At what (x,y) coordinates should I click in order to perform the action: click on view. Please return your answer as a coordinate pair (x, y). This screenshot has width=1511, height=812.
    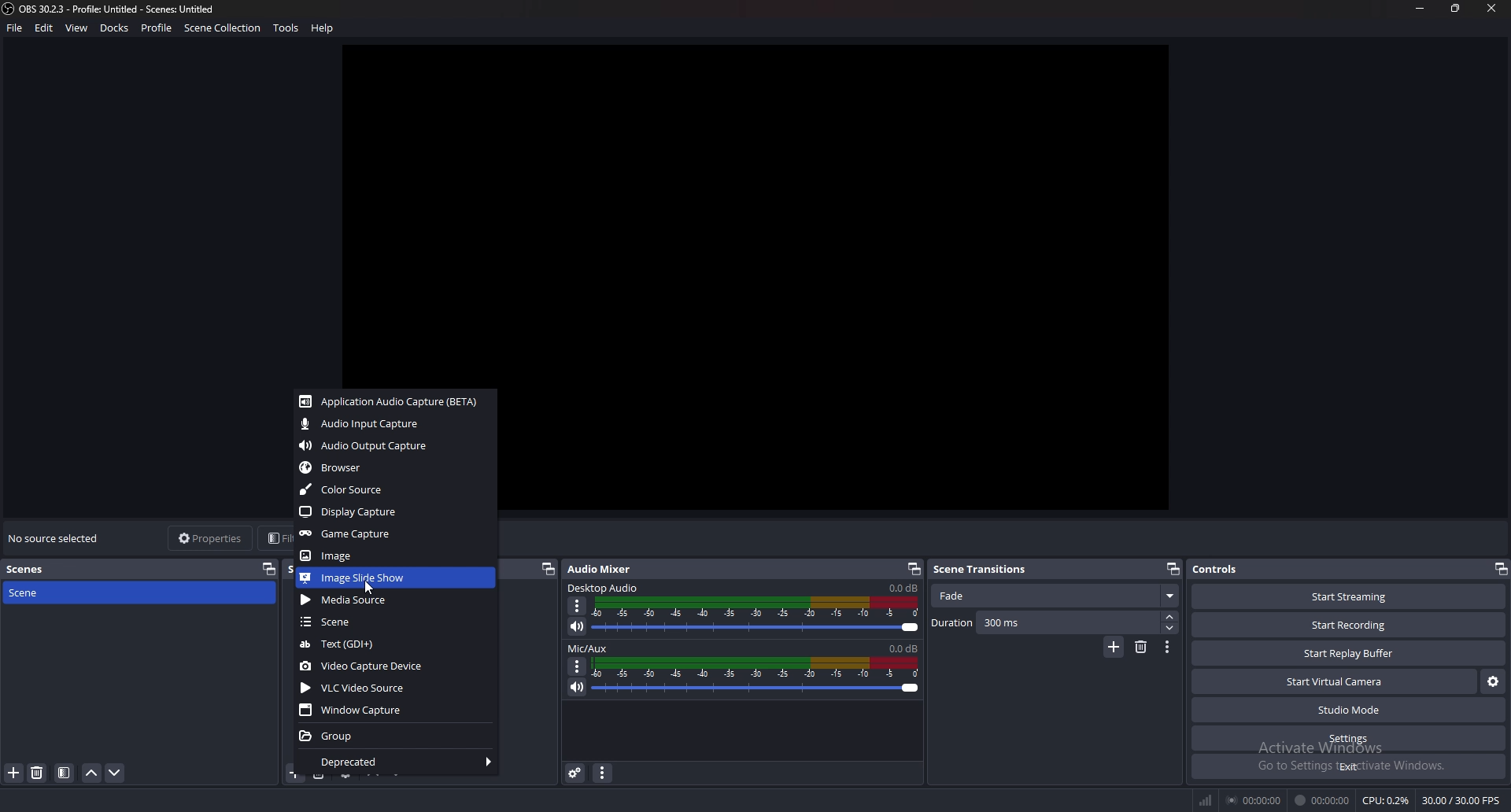
    Looking at the image, I should click on (77, 28).